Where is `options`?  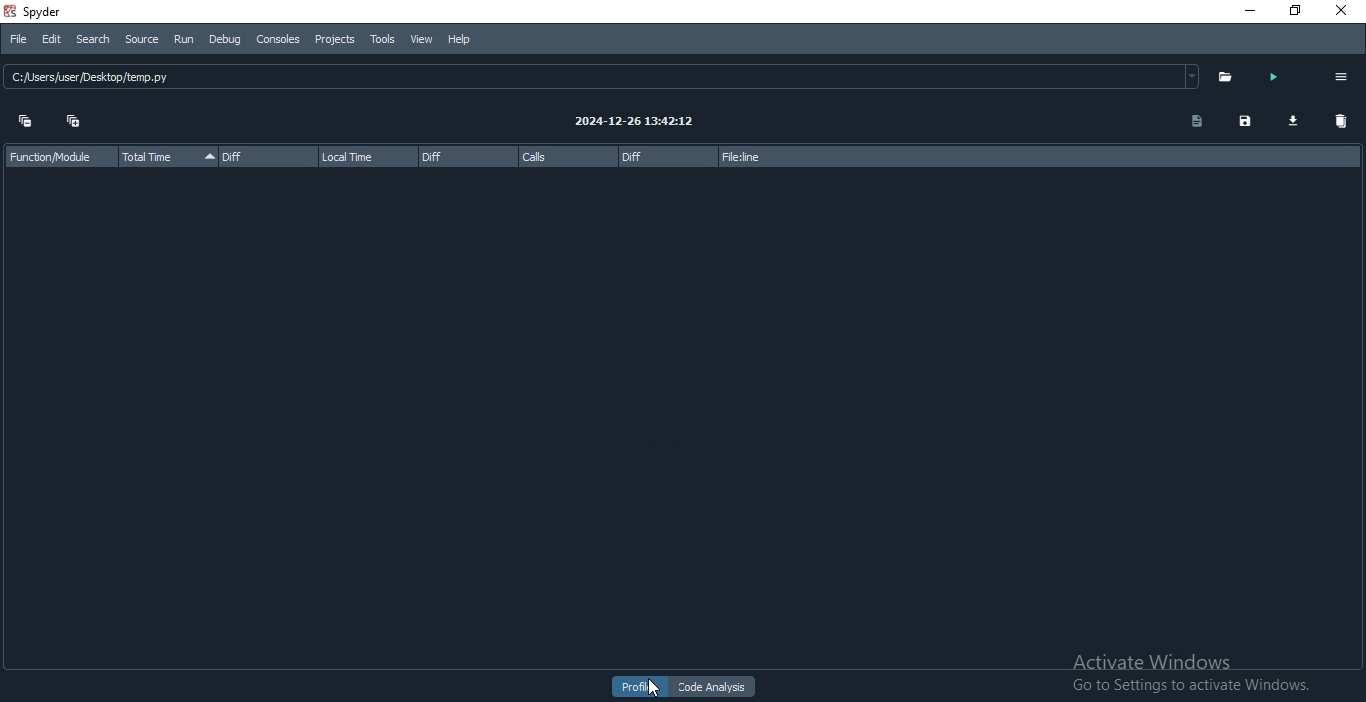
options is located at coordinates (1340, 75).